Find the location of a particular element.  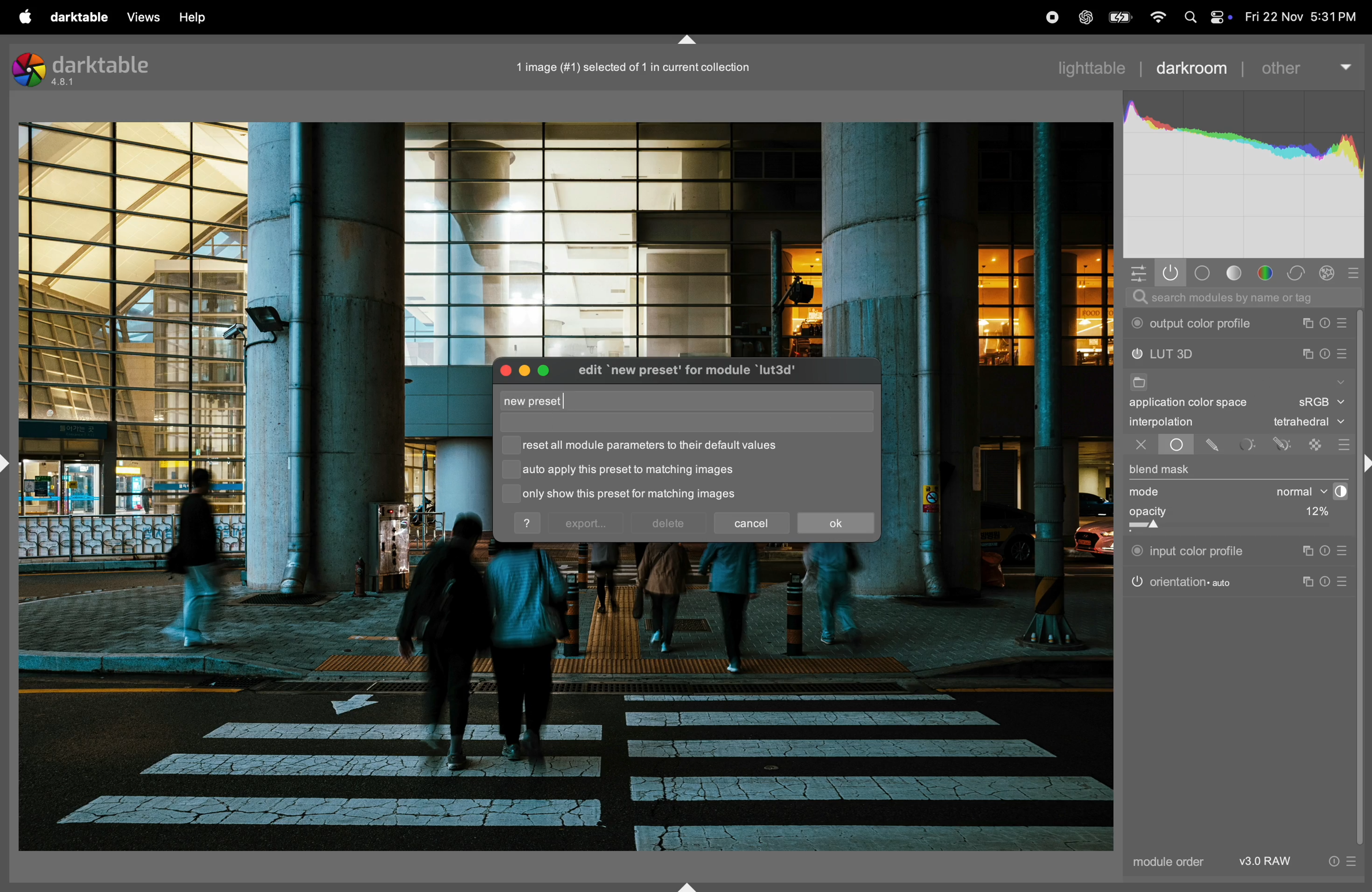

correct is located at coordinates (1329, 273).